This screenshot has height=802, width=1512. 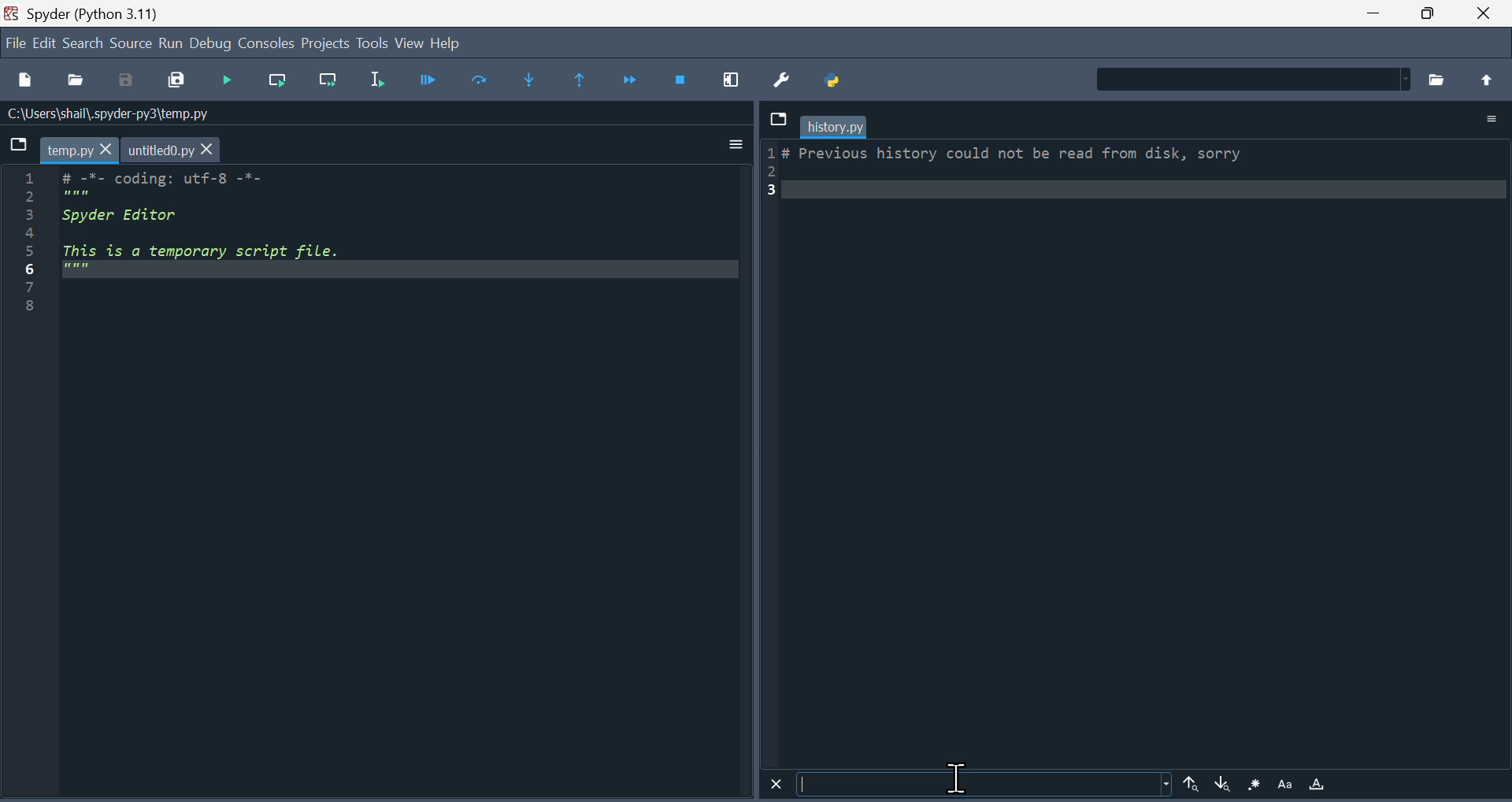 What do you see at coordinates (326, 42) in the screenshot?
I see `Project` at bounding box center [326, 42].